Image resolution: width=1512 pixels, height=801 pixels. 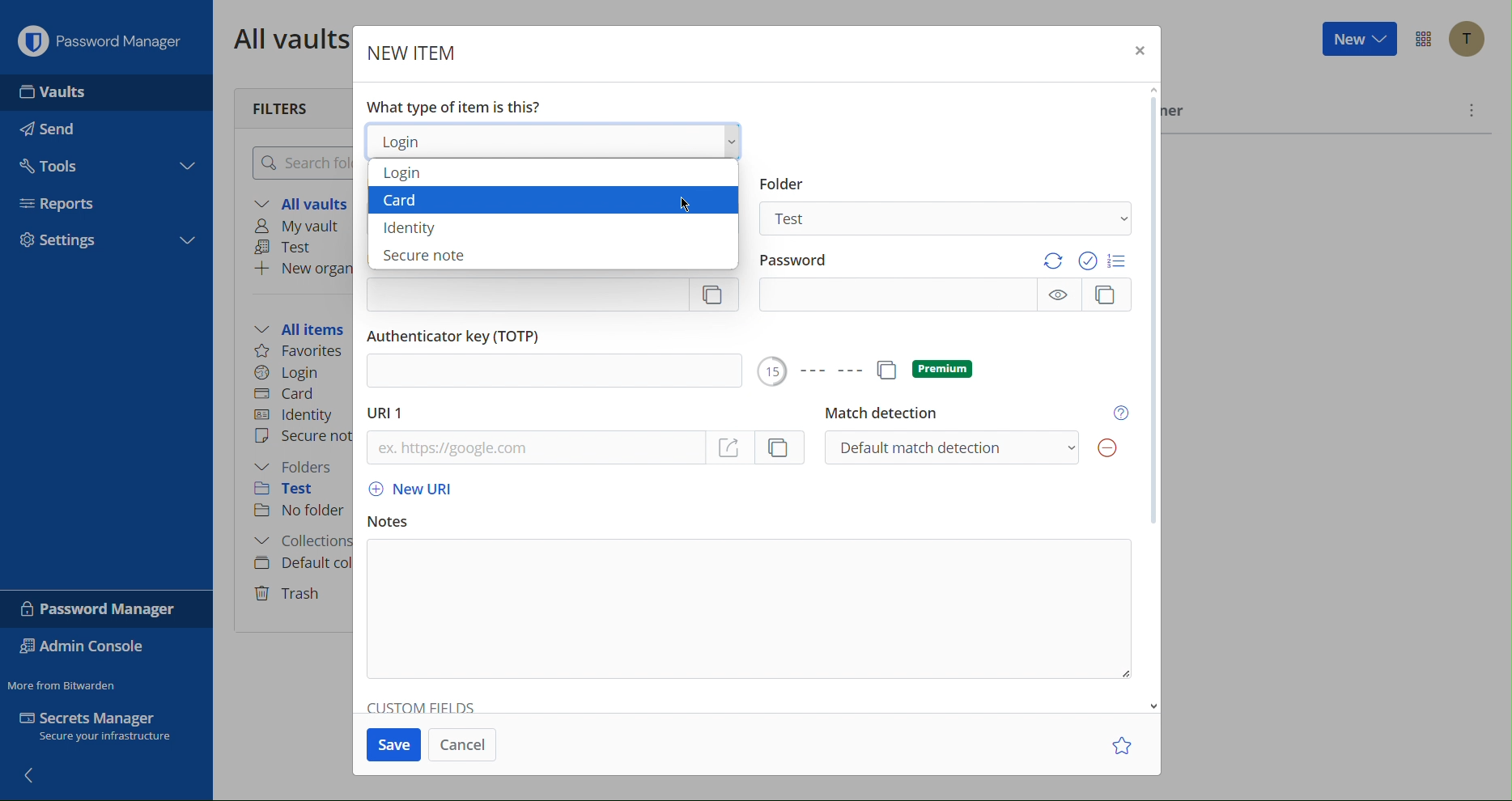 I want to click on Filters, so click(x=281, y=110).